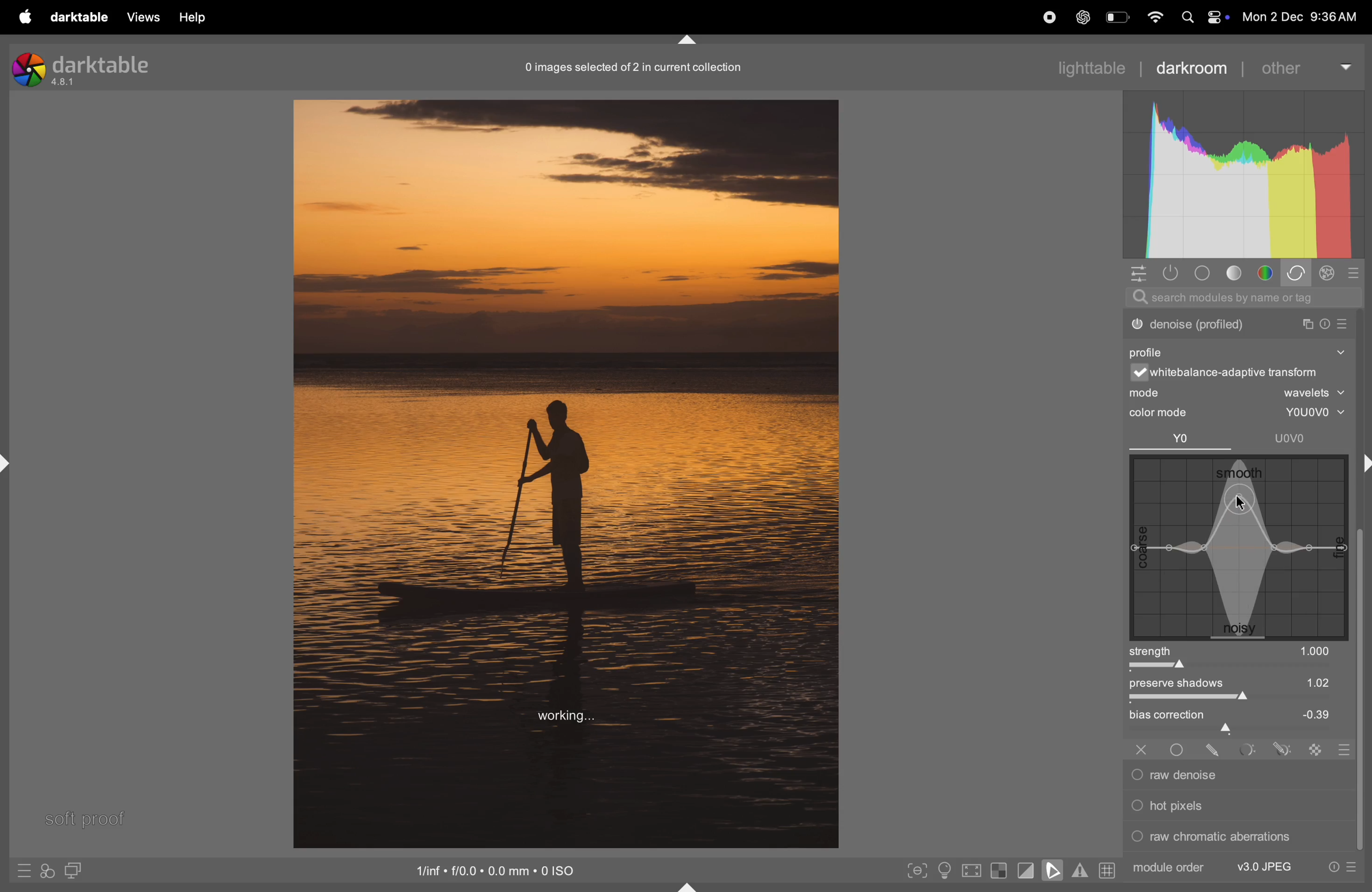 Image resolution: width=1372 pixels, height=892 pixels. What do you see at coordinates (1329, 275) in the screenshot?
I see `sign` at bounding box center [1329, 275].